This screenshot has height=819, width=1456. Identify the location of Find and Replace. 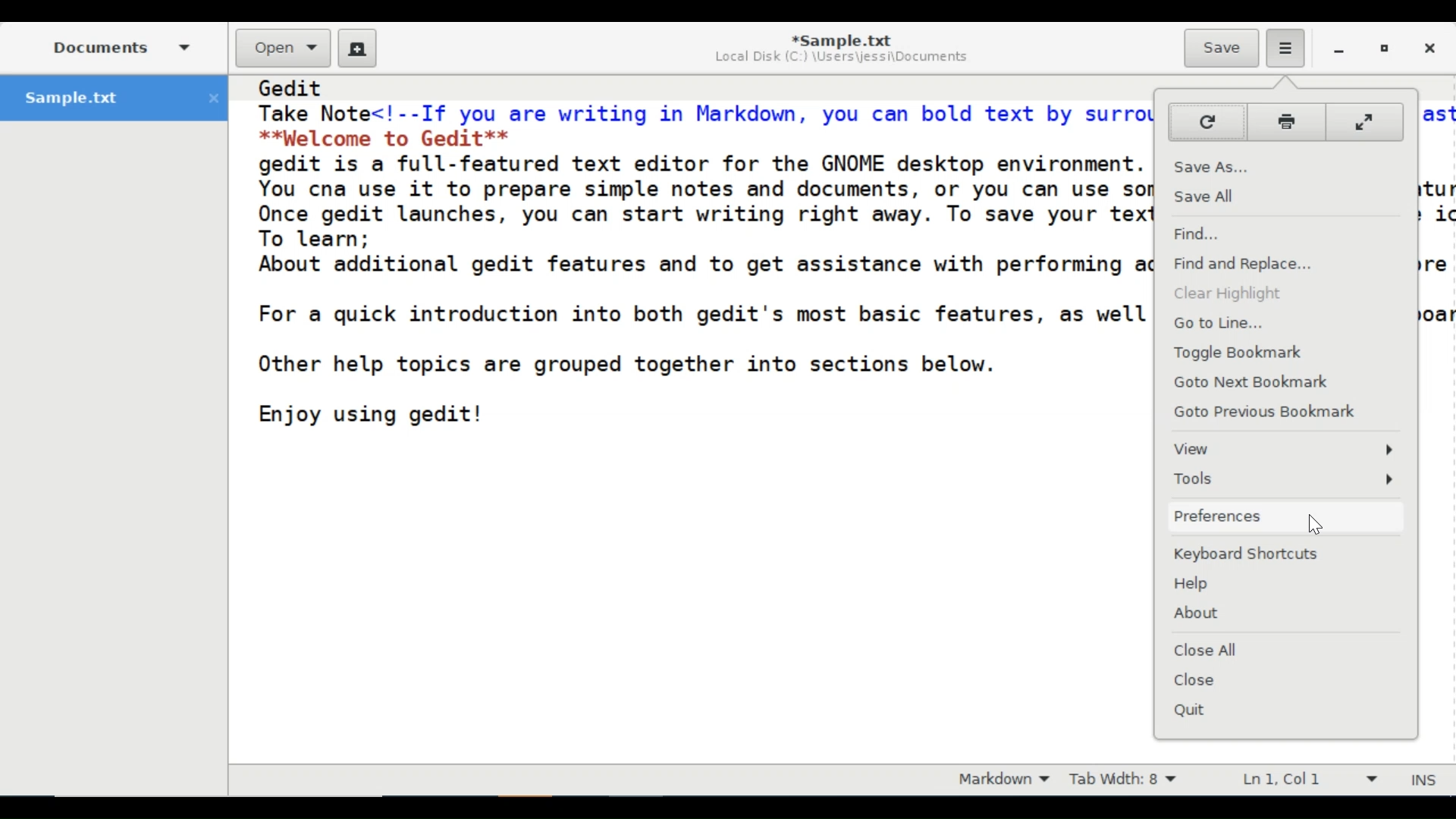
(1248, 265).